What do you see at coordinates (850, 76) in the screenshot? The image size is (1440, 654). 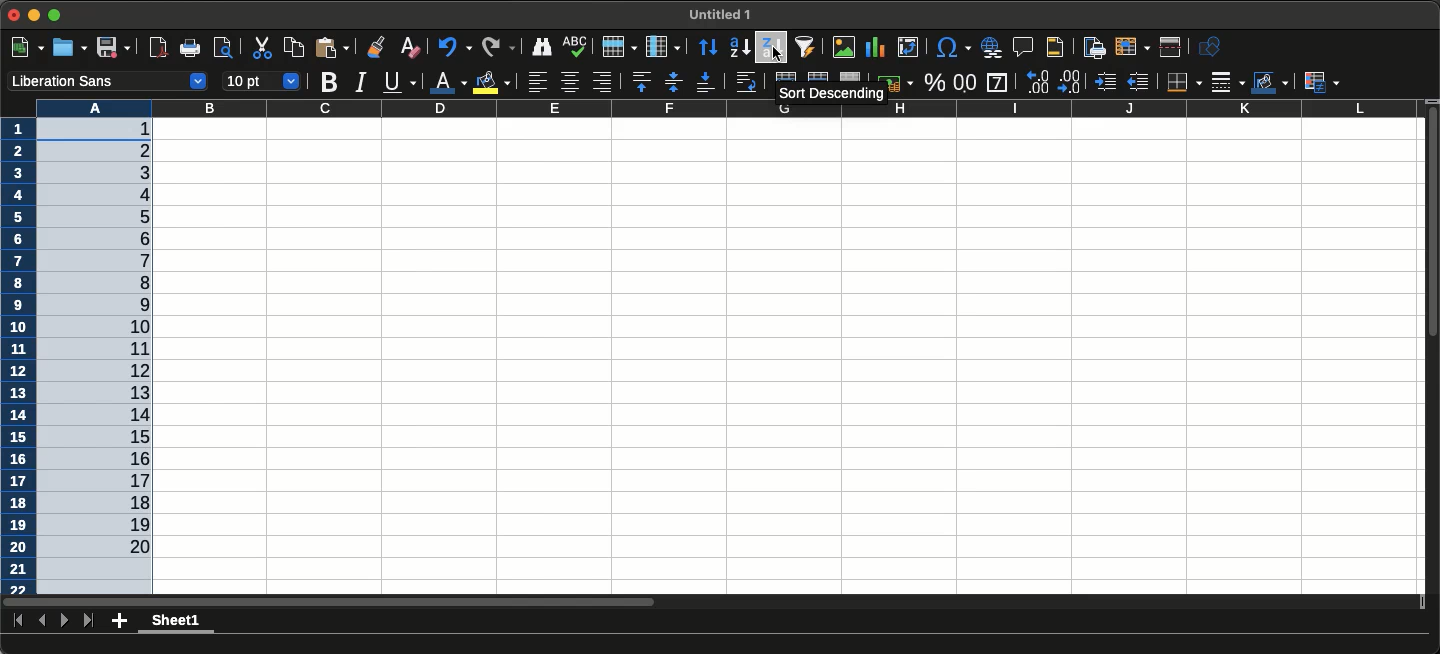 I see `Unmerge cells` at bounding box center [850, 76].